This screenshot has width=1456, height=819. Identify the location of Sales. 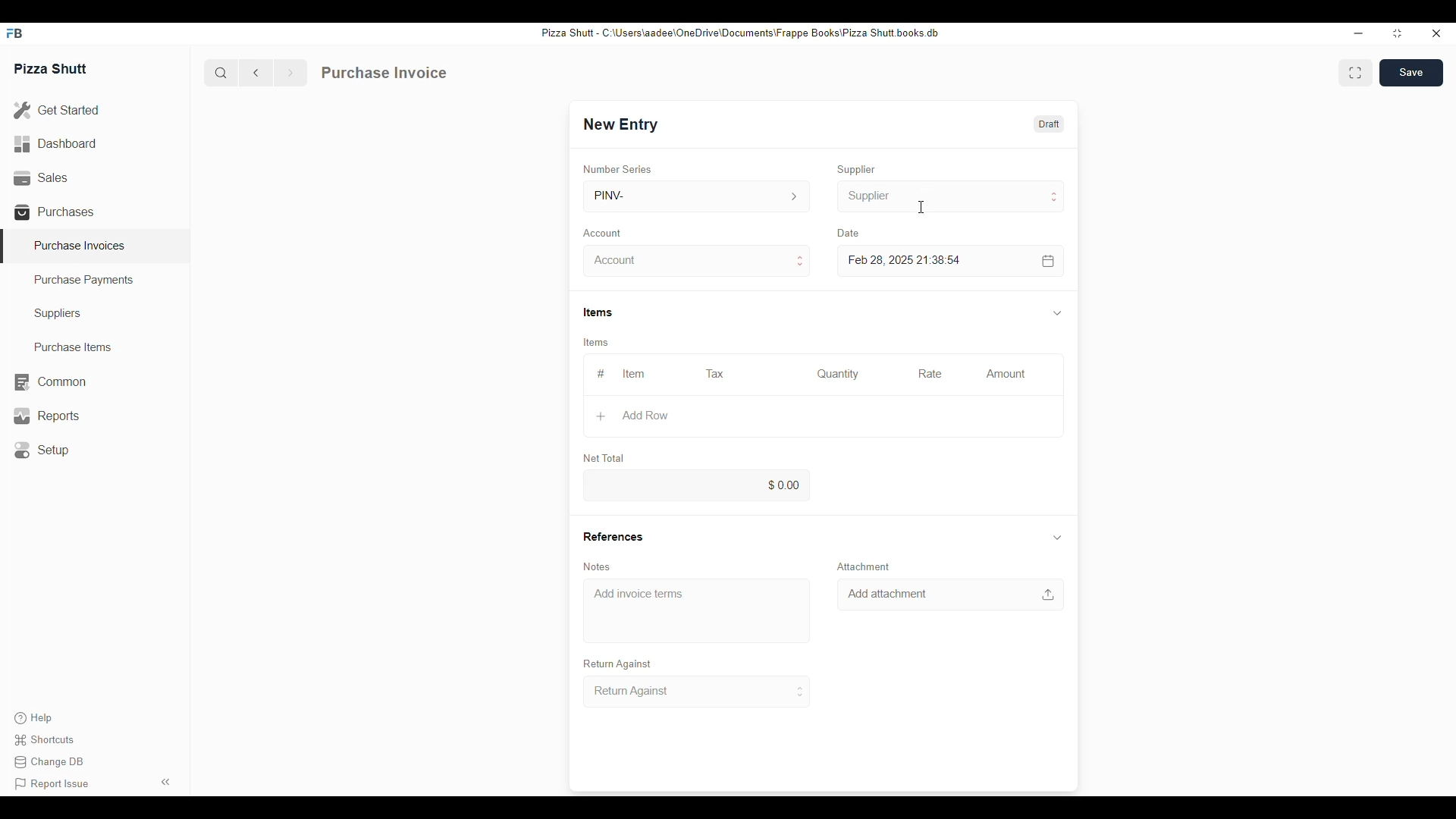
(39, 176).